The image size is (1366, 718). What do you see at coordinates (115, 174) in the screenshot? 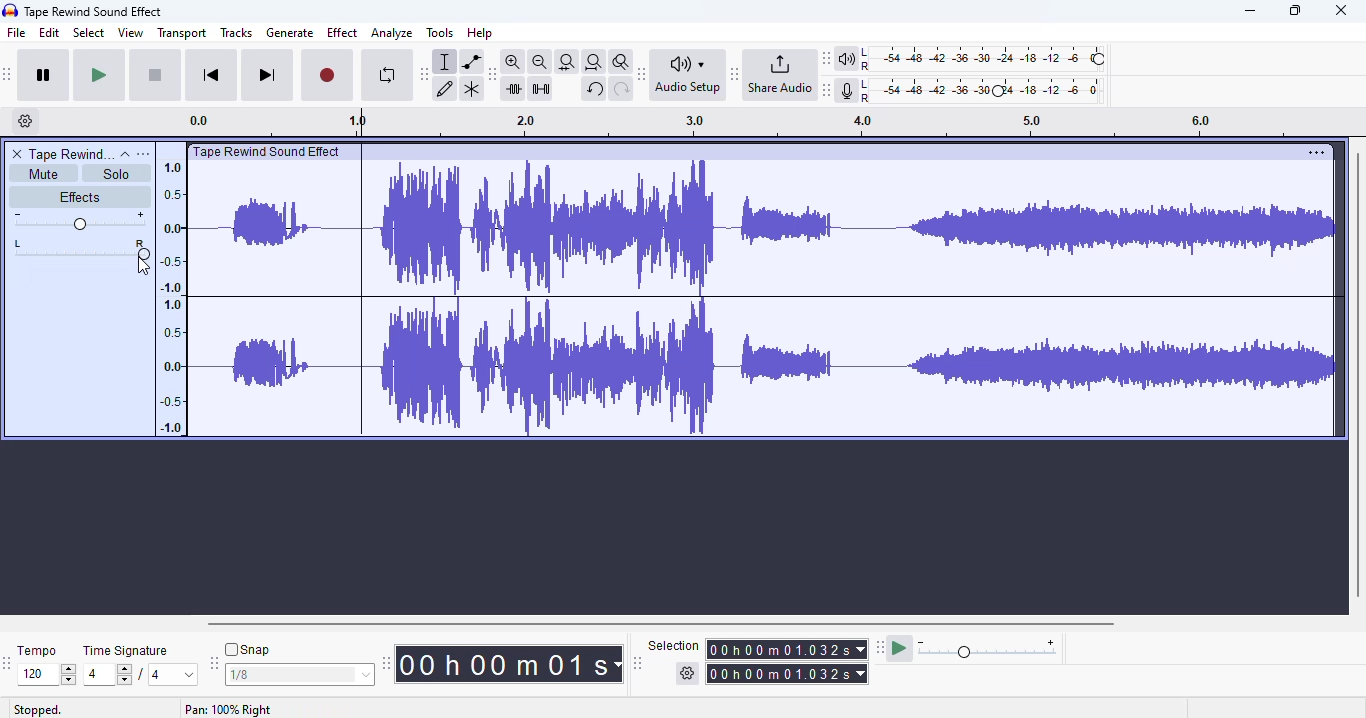
I see `solo` at bounding box center [115, 174].